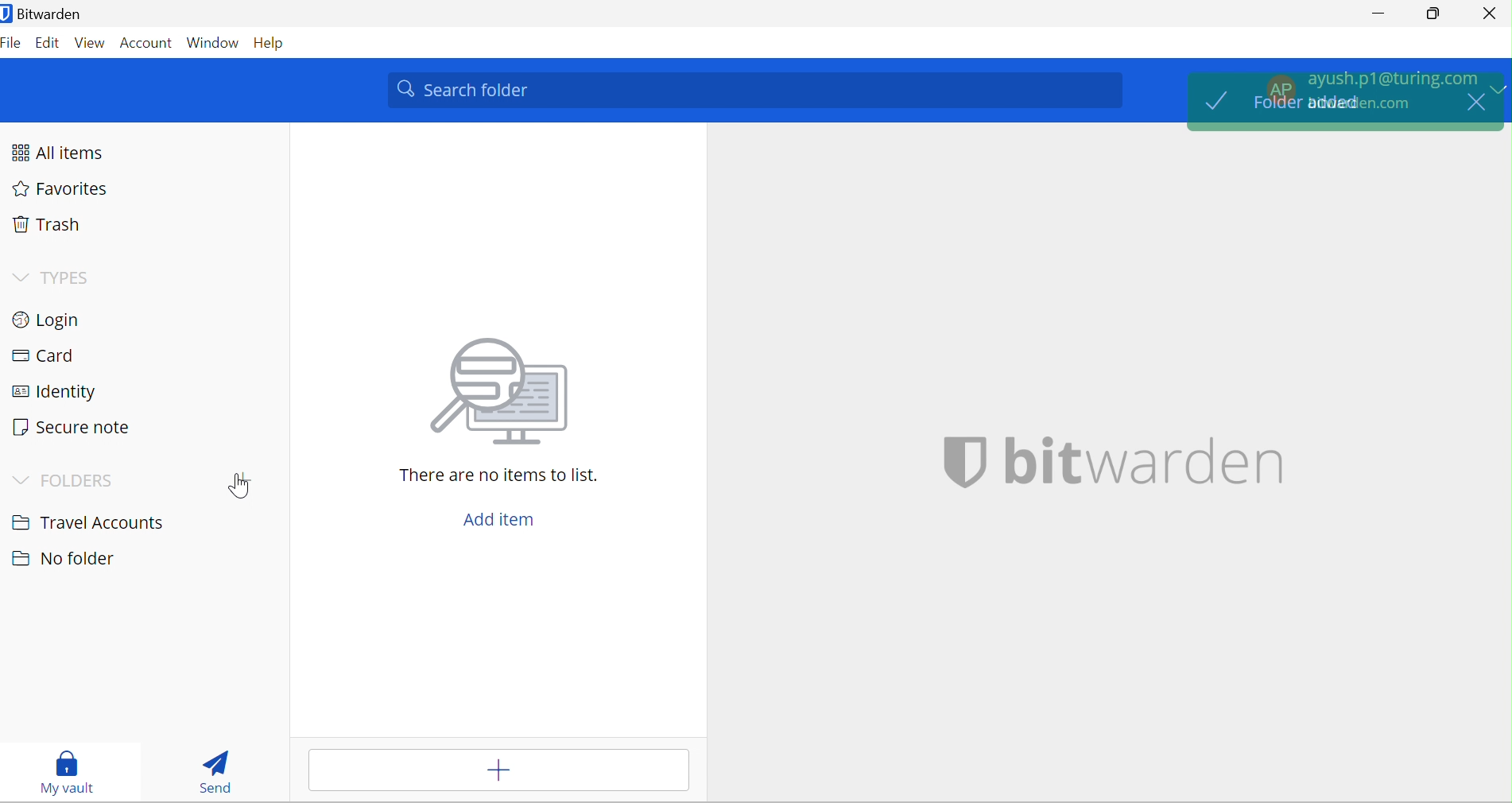 The height and width of the screenshot is (803, 1512). What do you see at coordinates (1391, 76) in the screenshot?
I see `ayush.p1@turing.com` at bounding box center [1391, 76].